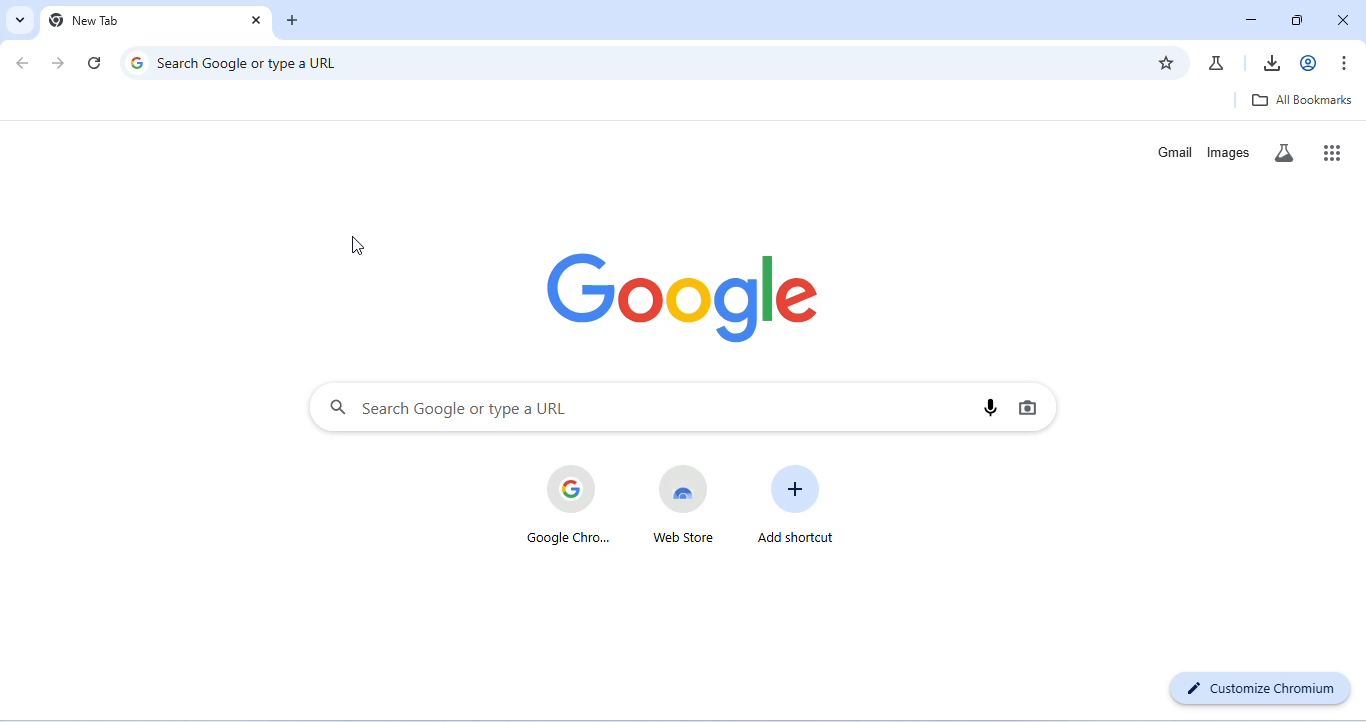  Describe the element at coordinates (1287, 153) in the screenshot. I see `search labs` at that location.